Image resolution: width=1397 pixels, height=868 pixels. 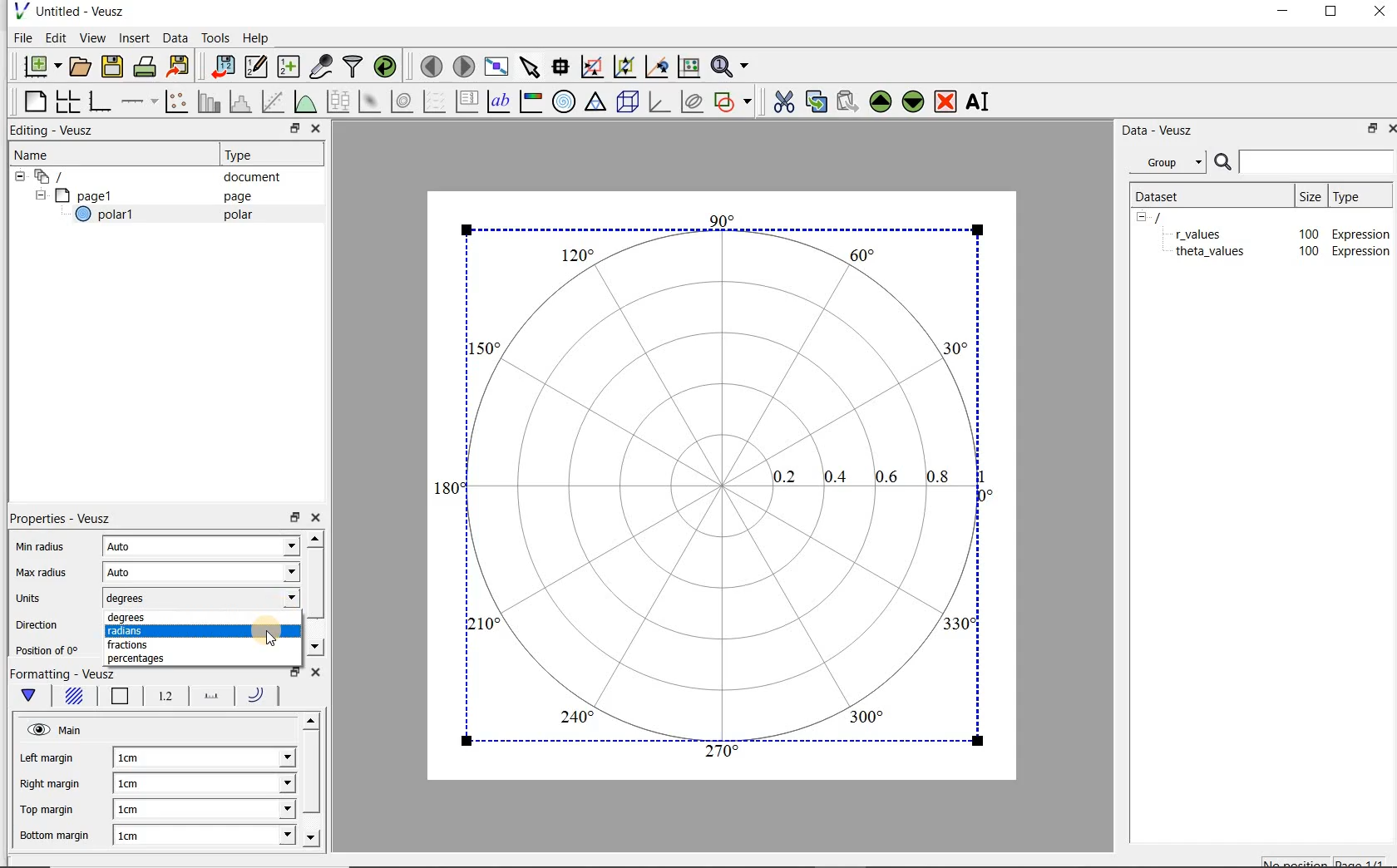 I want to click on Main formatting, so click(x=28, y=696).